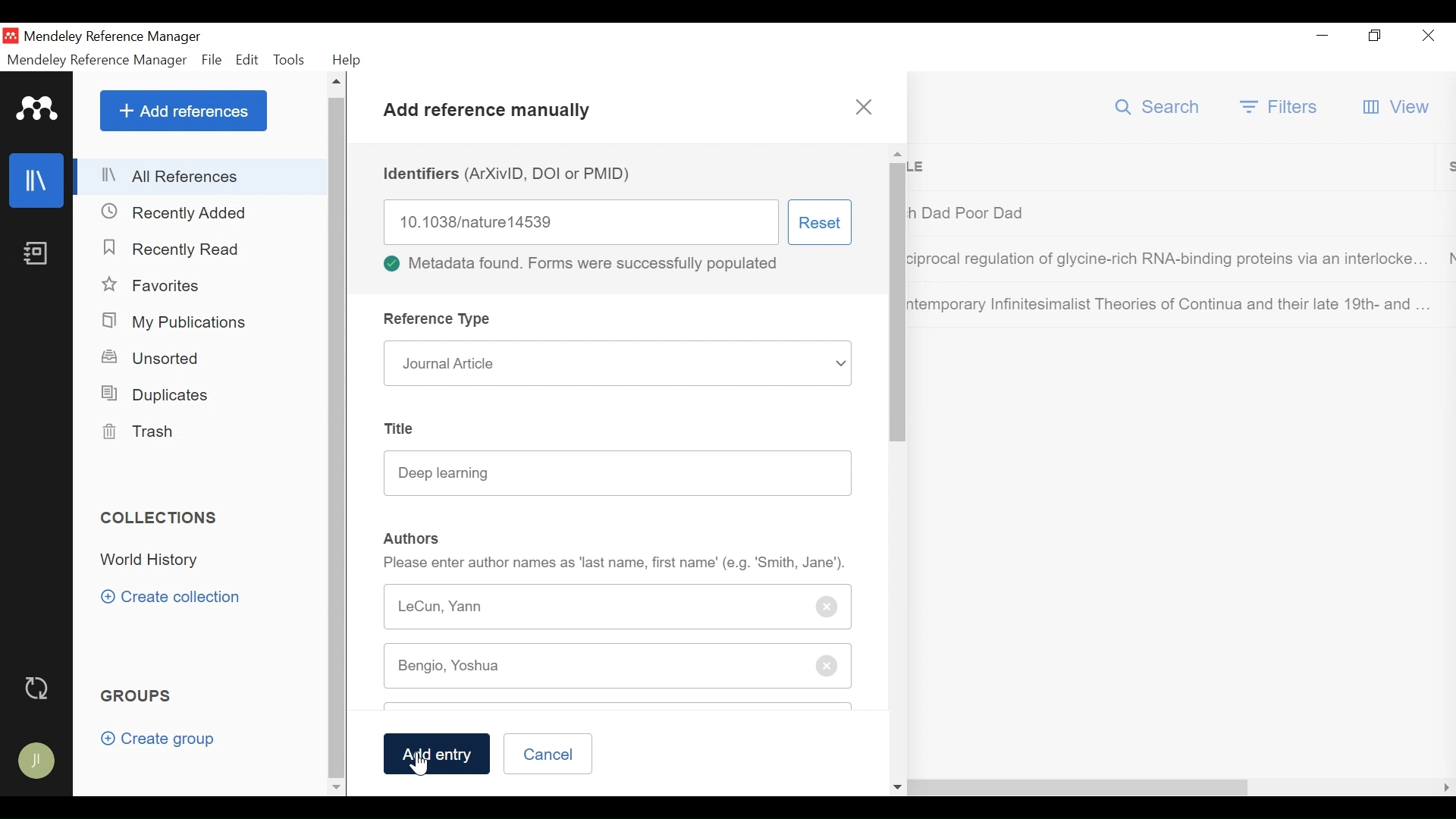 Image resolution: width=1456 pixels, height=819 pixels. I want to click on My Publications, so click(177, 321).